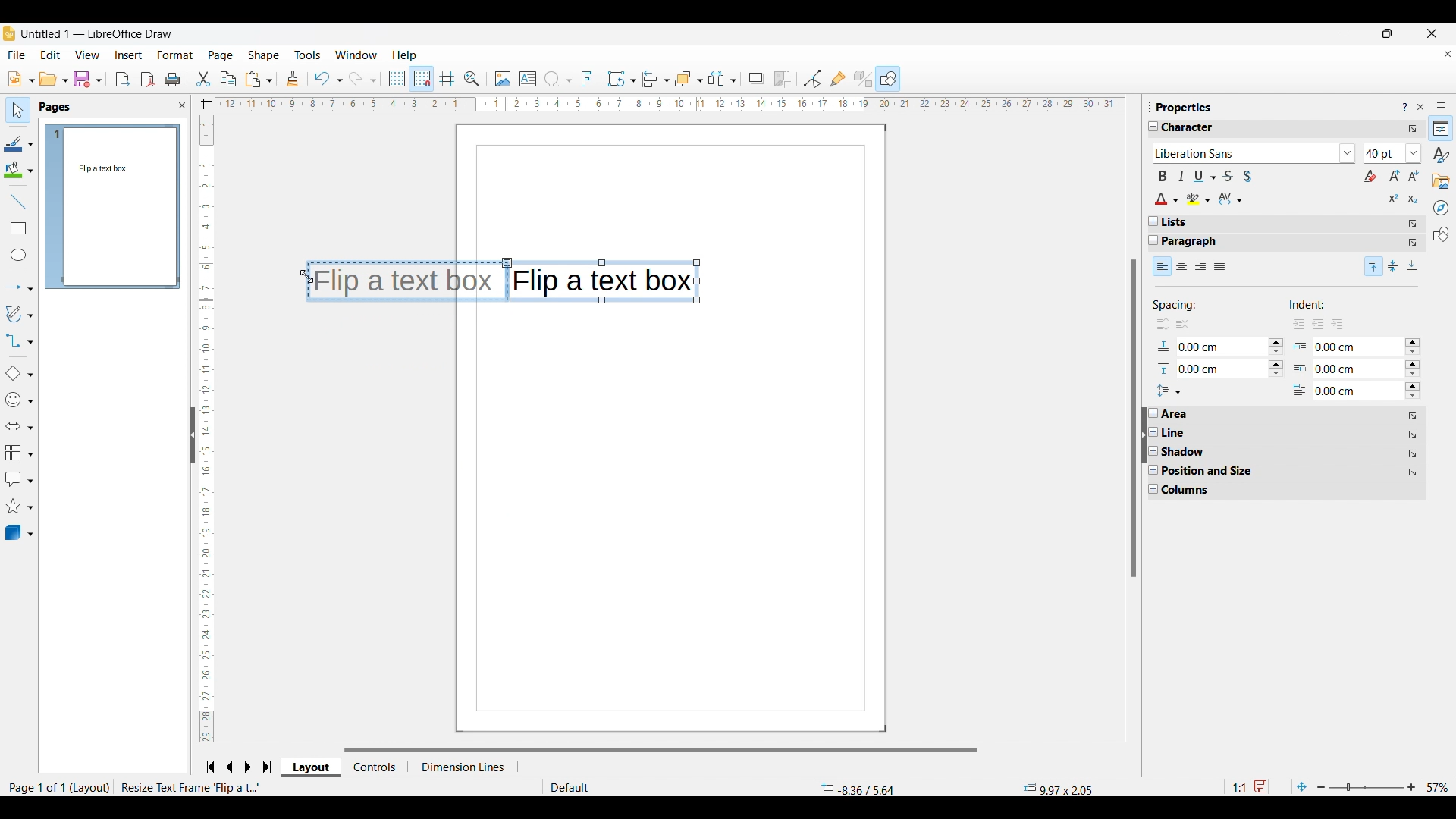  Describe the element at coordinates (148, 80) in the screenshot. I see `Export directly as PDF` at that location.